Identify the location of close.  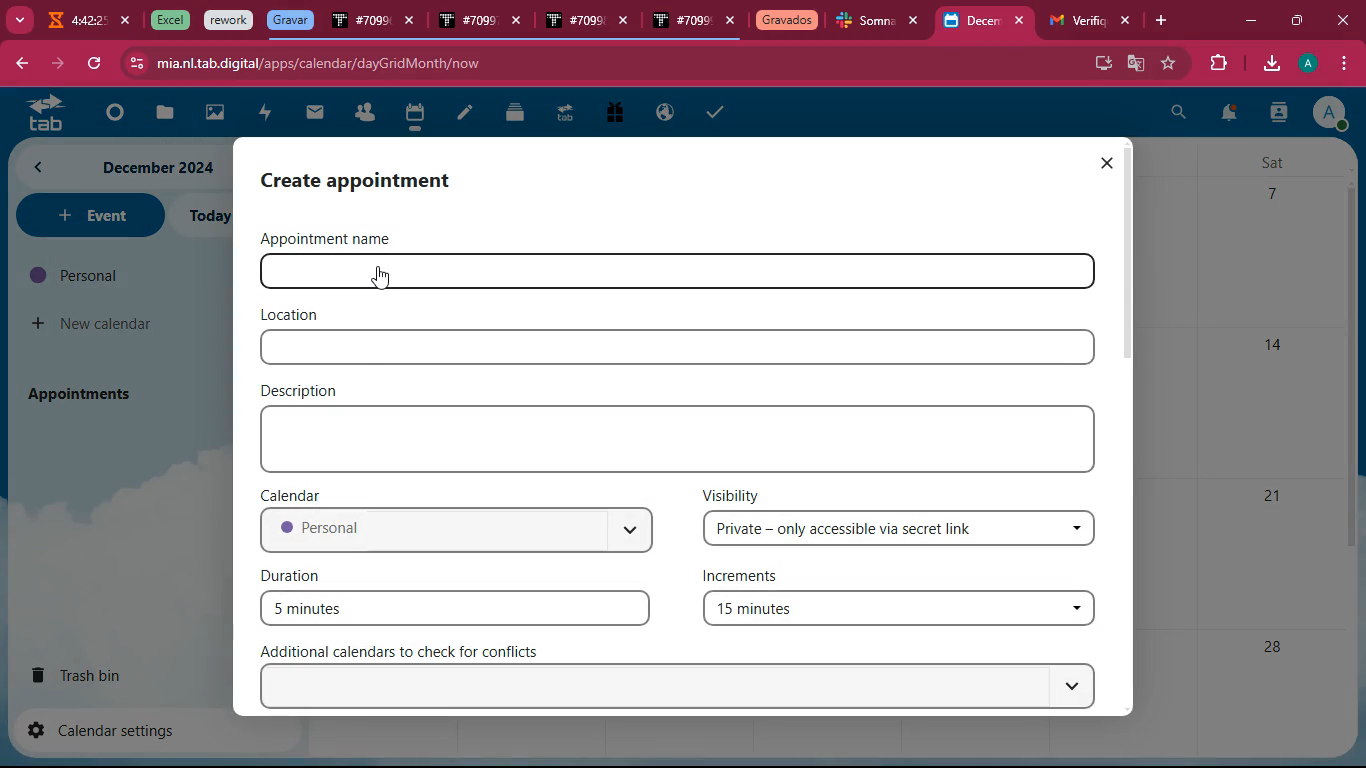
(521, 24).